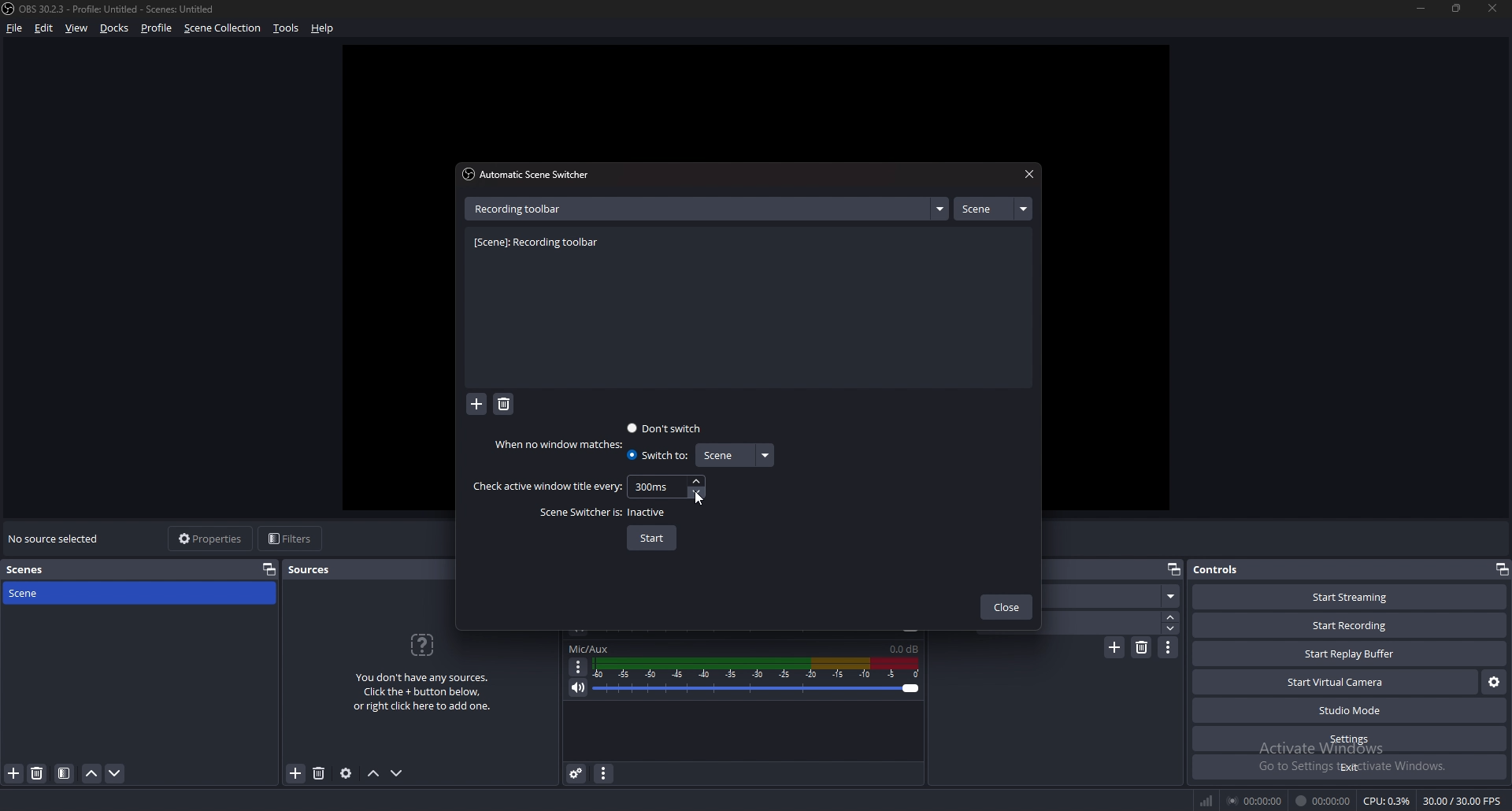 This screenshot has height=811, width=1512. Describe the element at coordinates (224, 27) in the screenshot. I see `scene collection` at that location.